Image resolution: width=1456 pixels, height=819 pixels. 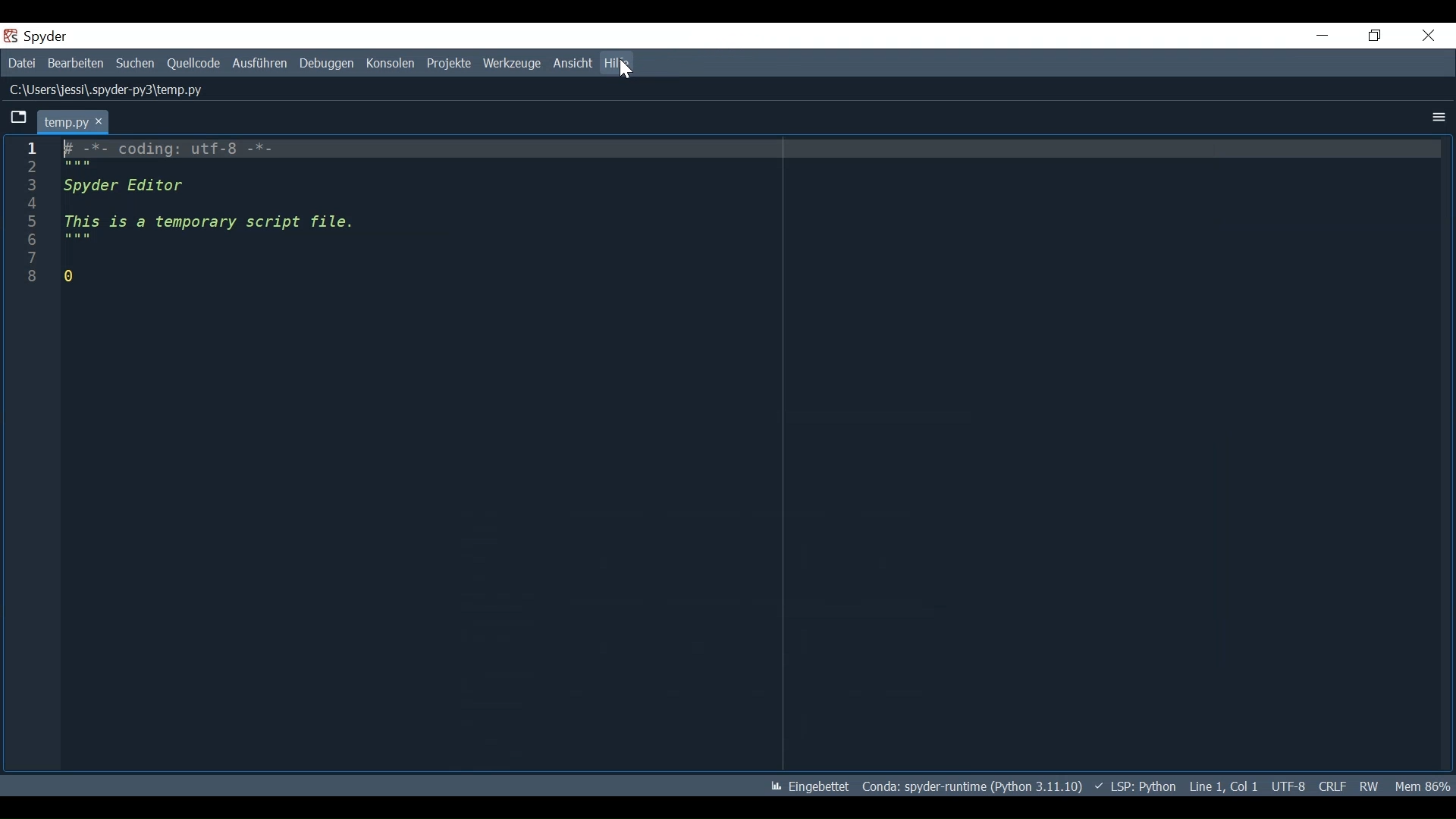 I want to click on Tools, so click(x=511, y=64).